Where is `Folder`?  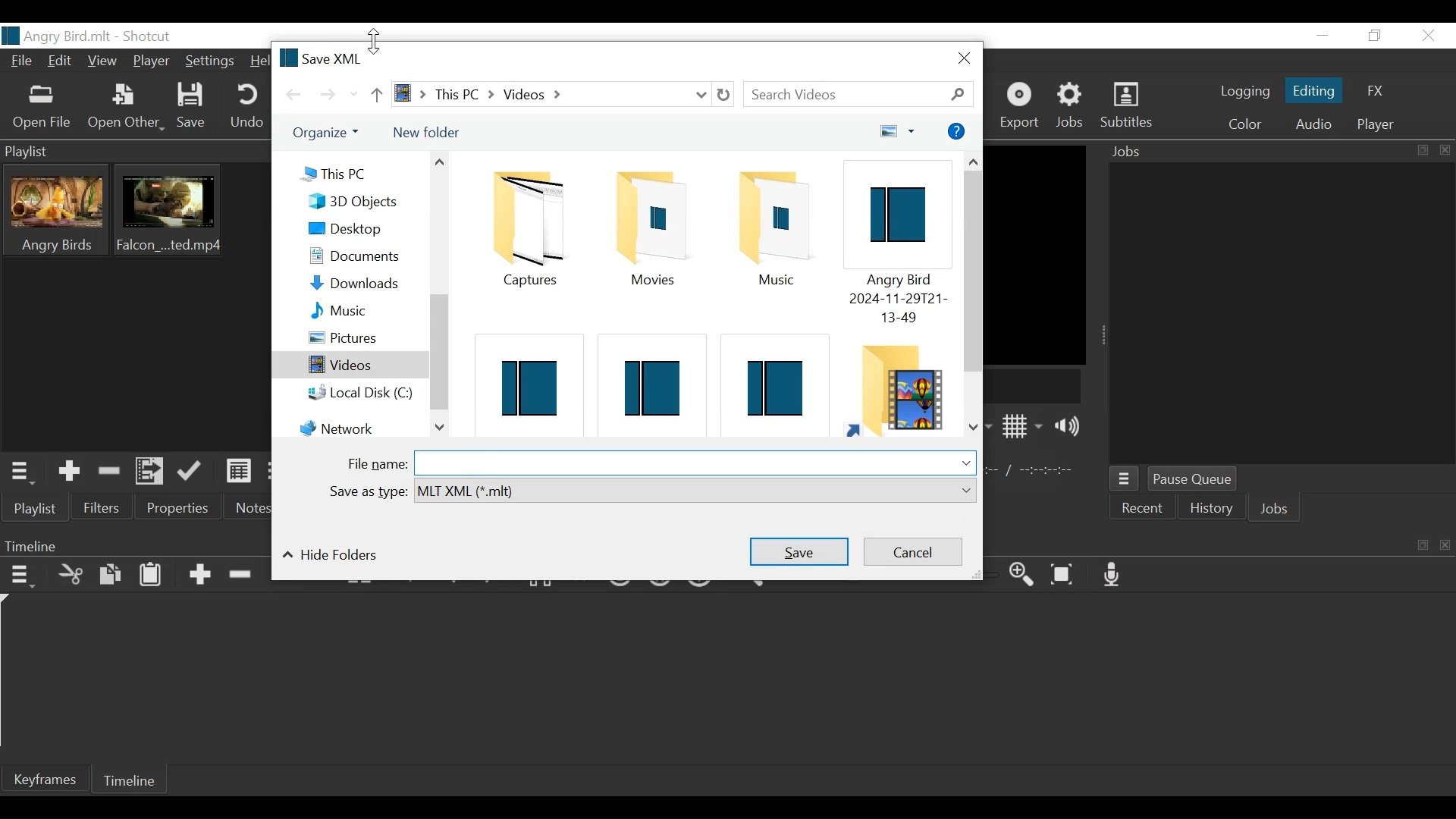 Folder is located at coordinates (524, 228).